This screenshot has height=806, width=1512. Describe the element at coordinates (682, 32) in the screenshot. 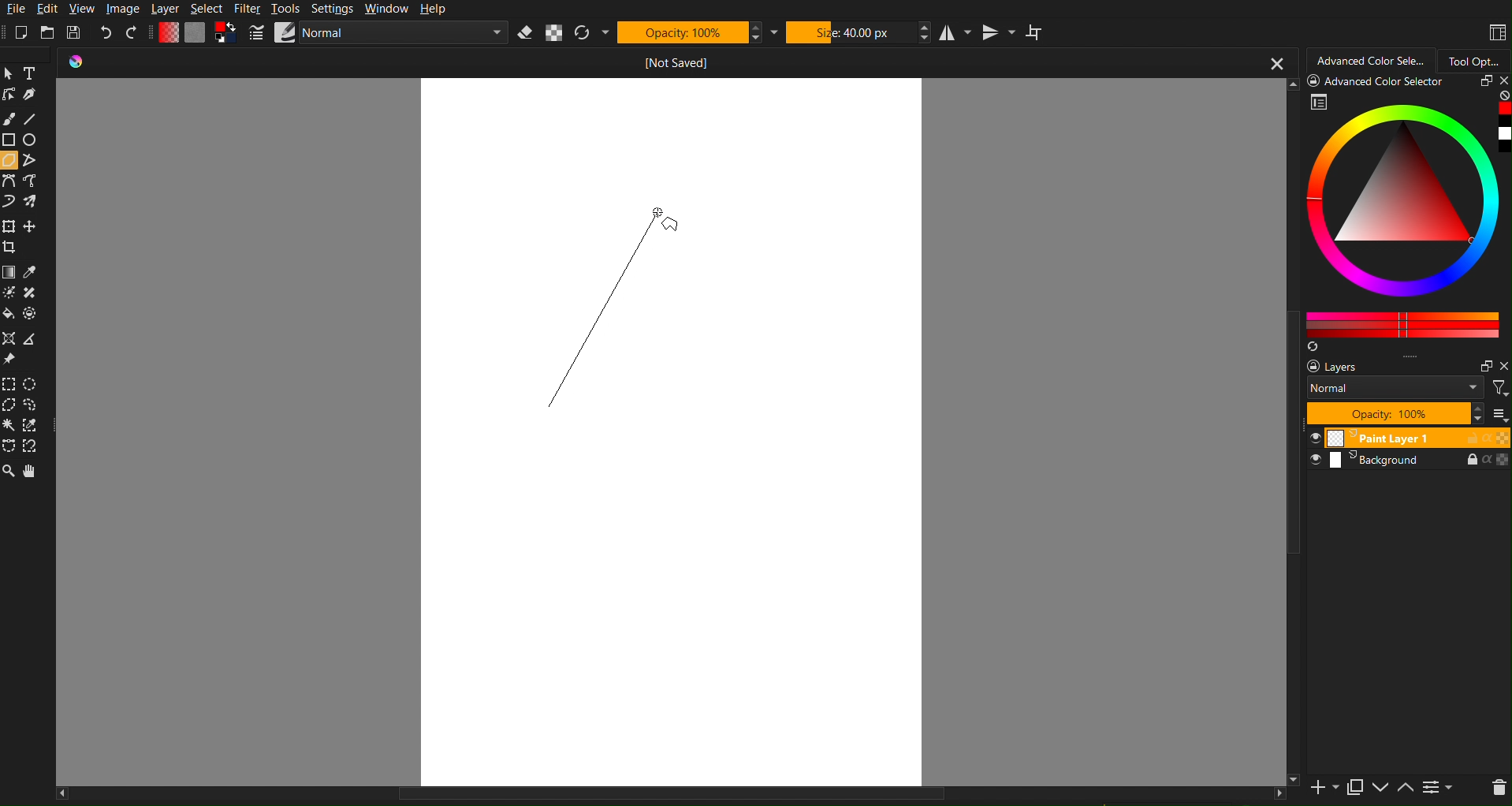

I see `Opacity` at that location.